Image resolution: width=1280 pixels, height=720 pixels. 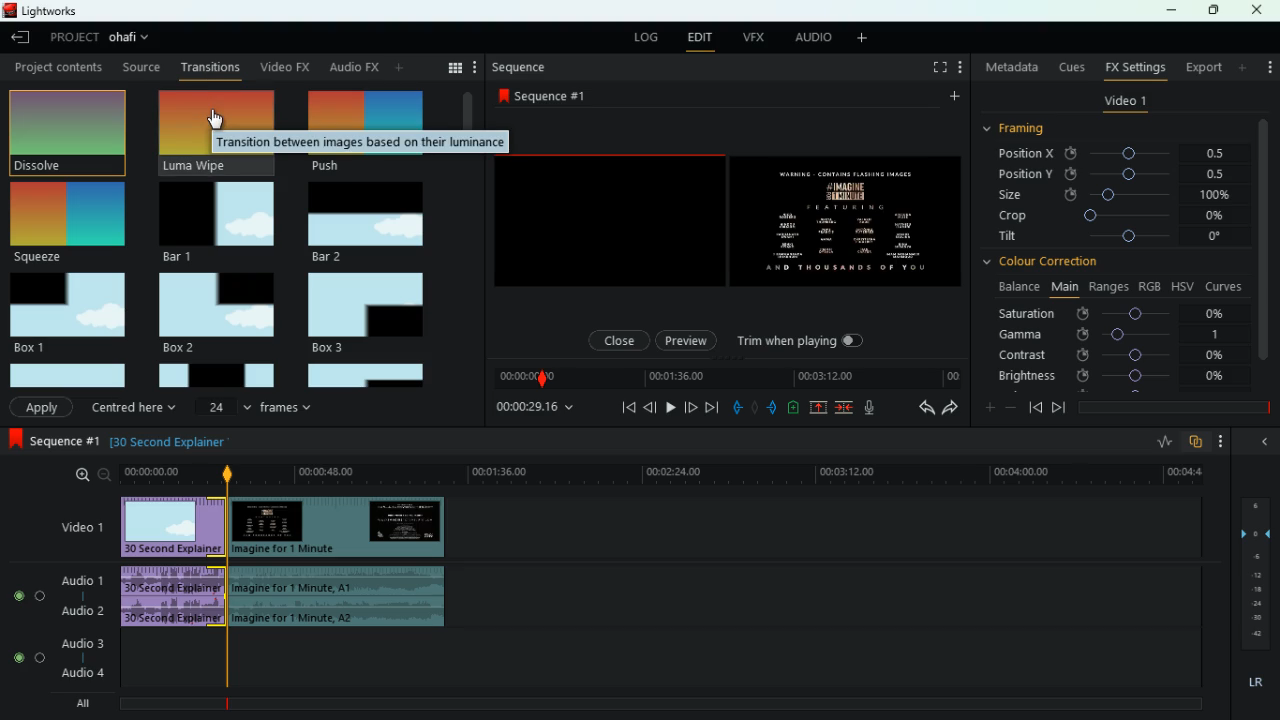 What do you see at coordinates (805, 341) in the screenshot?
I see `trim when playing` at bounding box center [805, 341].